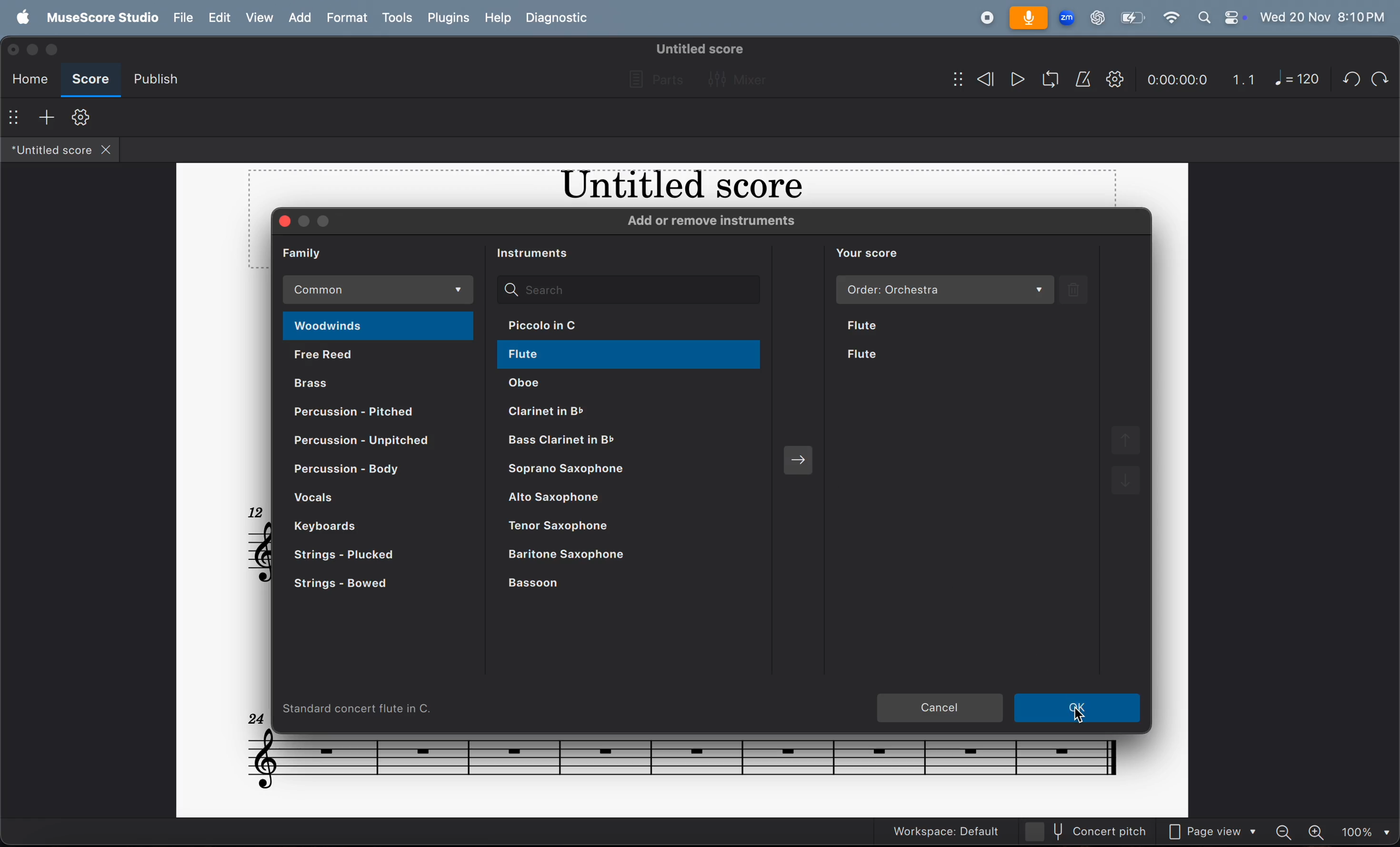  I want to click on percusion body, so click(361, 474).